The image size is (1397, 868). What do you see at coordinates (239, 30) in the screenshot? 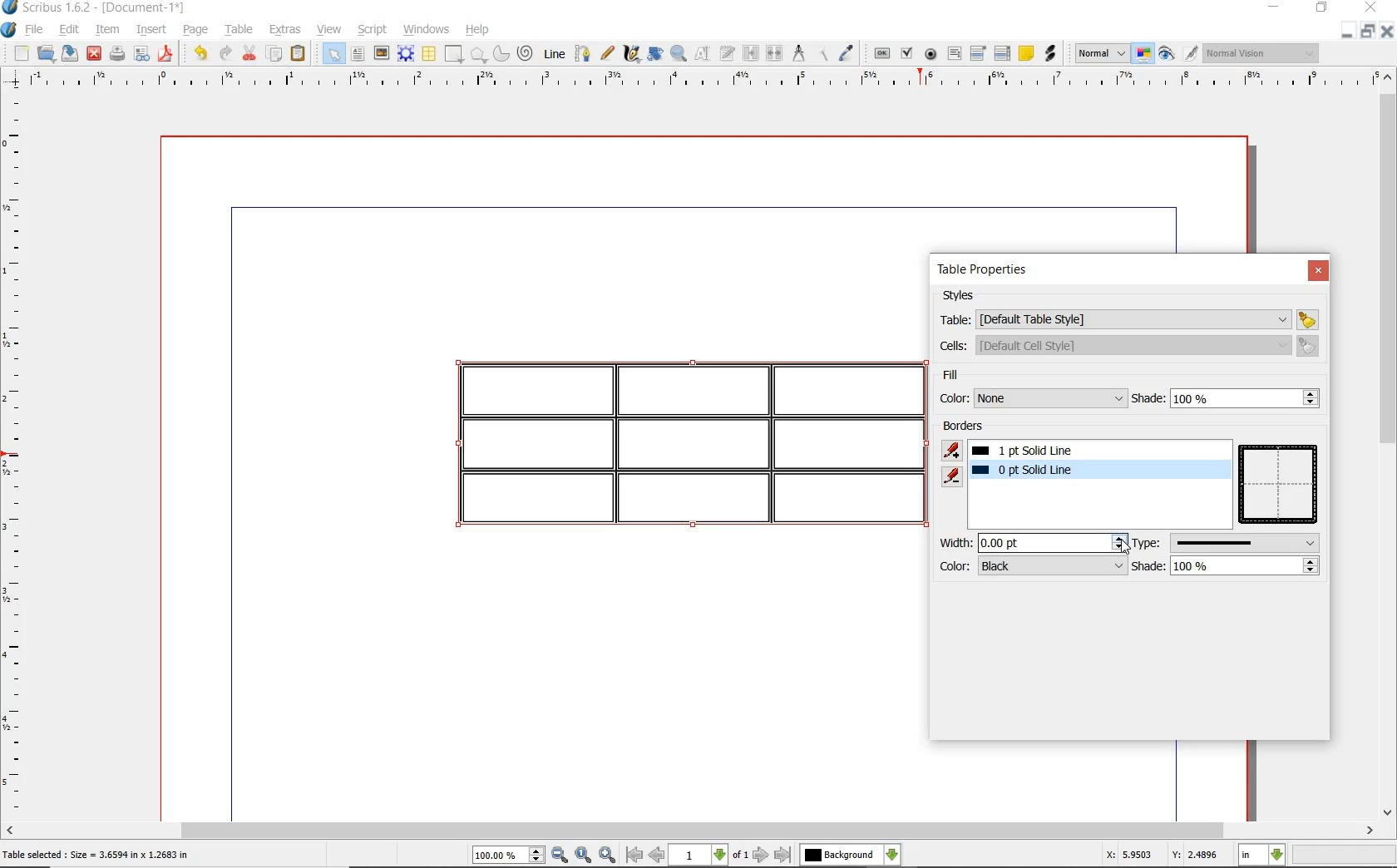
I see `table` at bounding box center [239, 30].